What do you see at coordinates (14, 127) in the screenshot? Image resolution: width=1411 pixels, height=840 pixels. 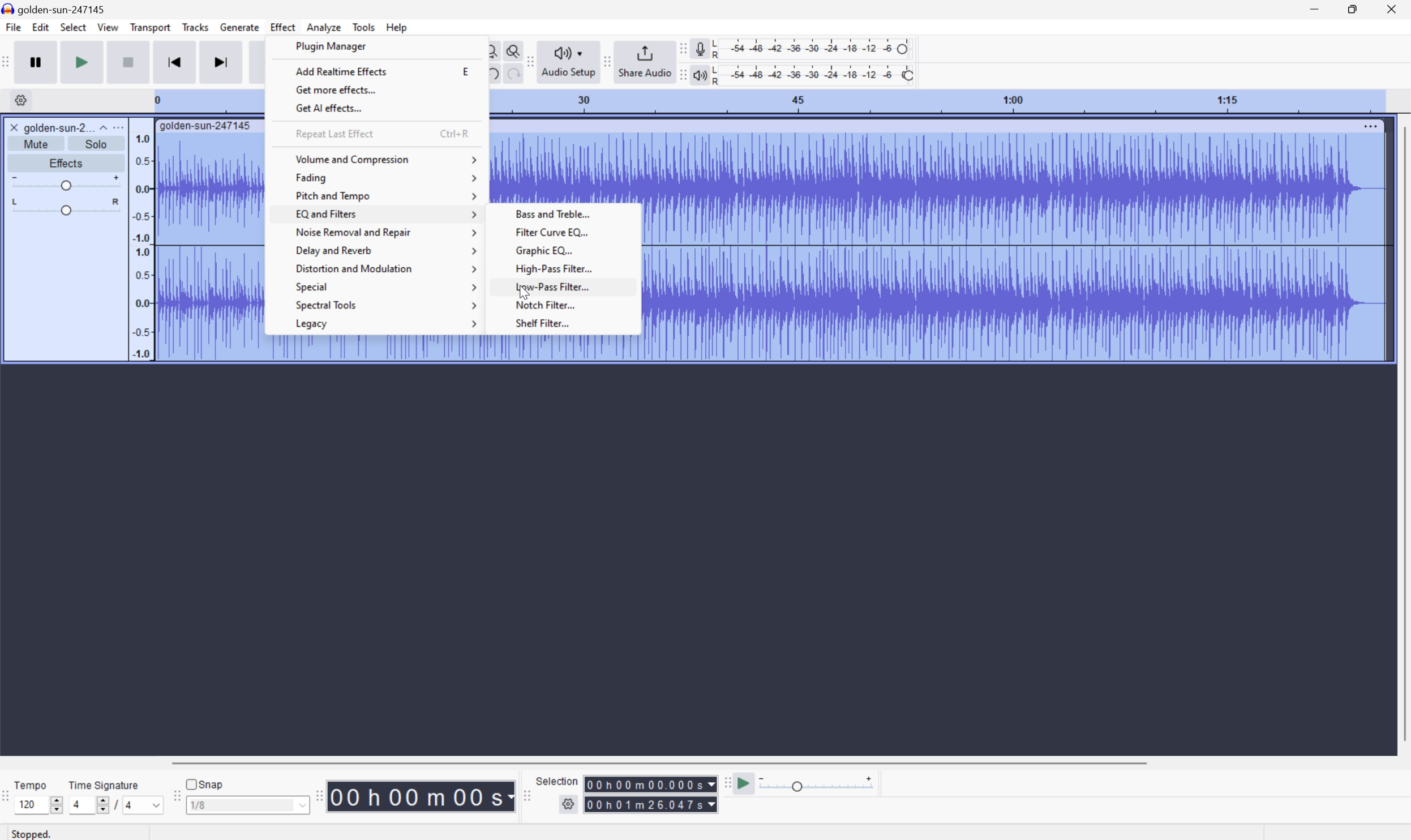 I see `Close` at bounding box center [14, 127].